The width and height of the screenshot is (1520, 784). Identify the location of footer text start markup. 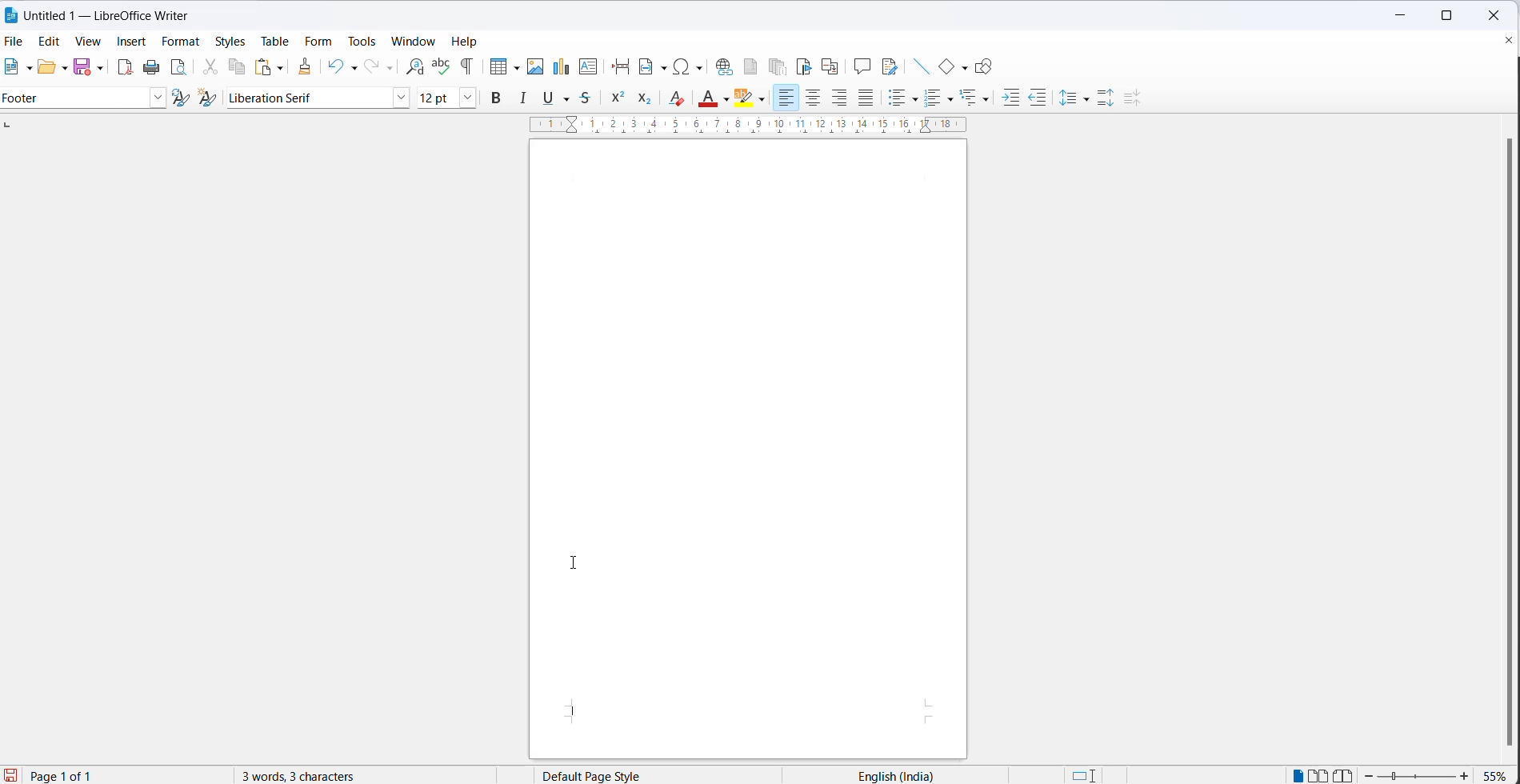
(574, 713).